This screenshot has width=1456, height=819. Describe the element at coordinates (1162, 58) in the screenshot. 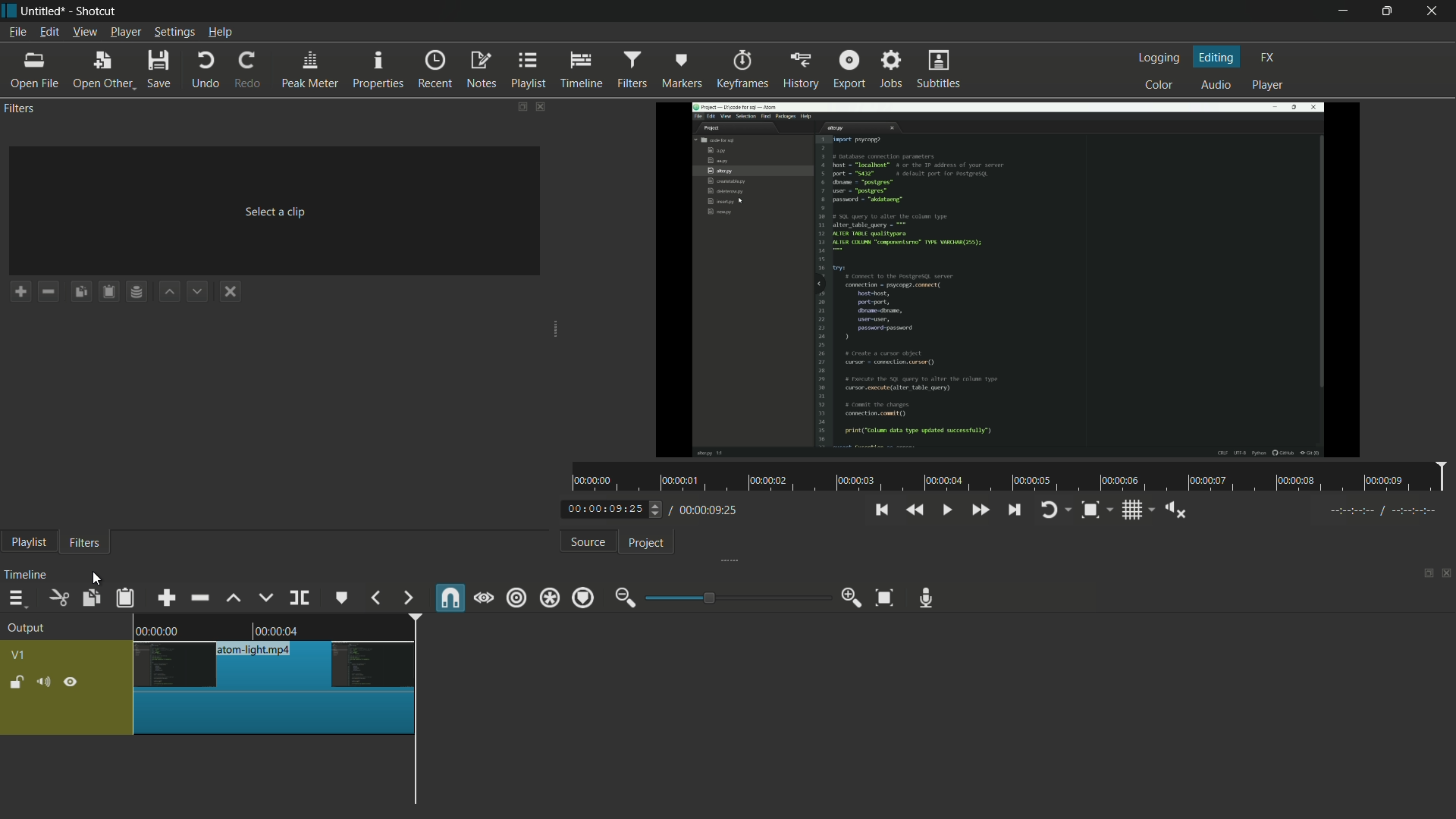

I see `logging` at that location.